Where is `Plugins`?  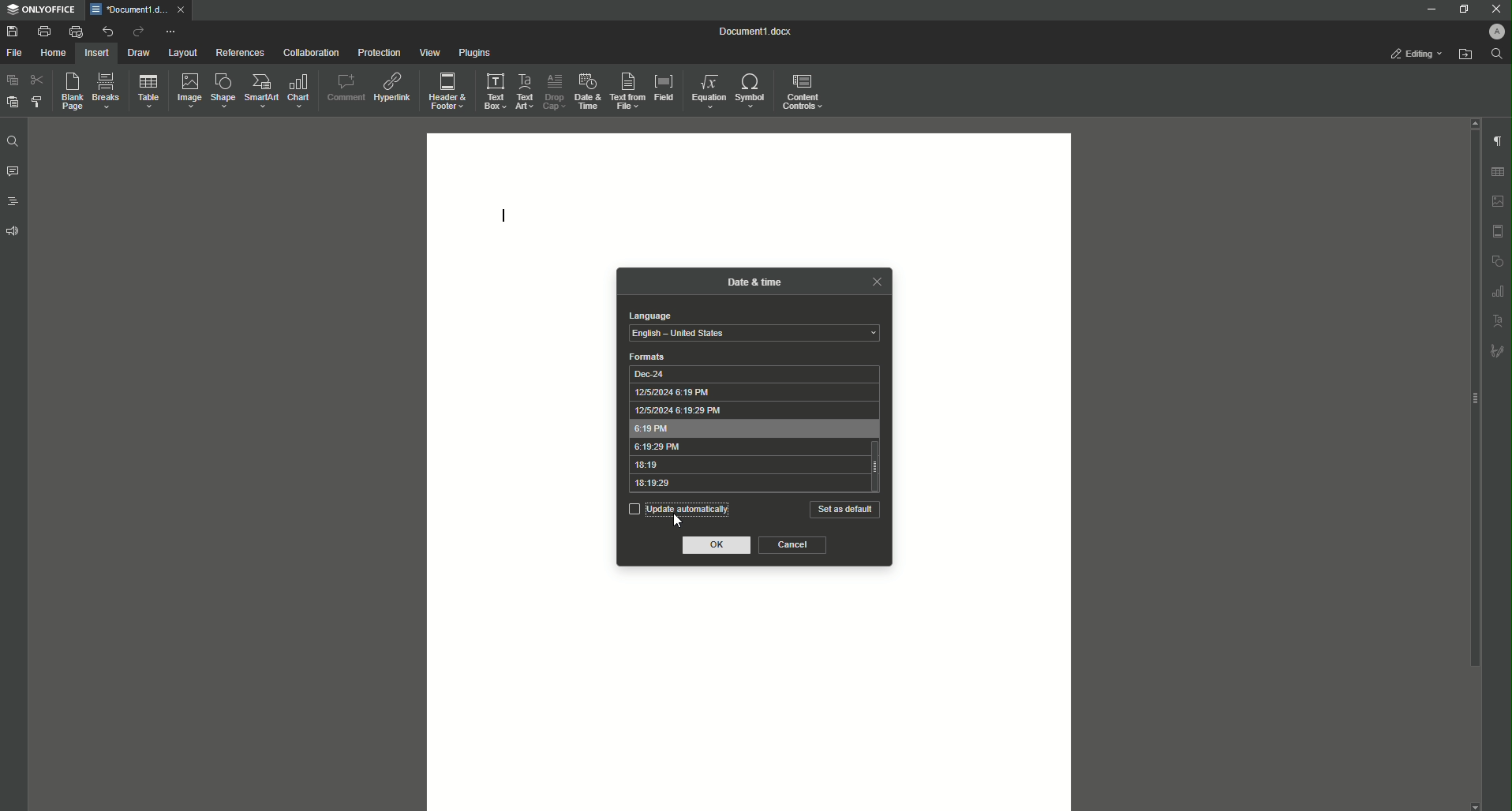
Plugins is located at coordinates (472, 52).